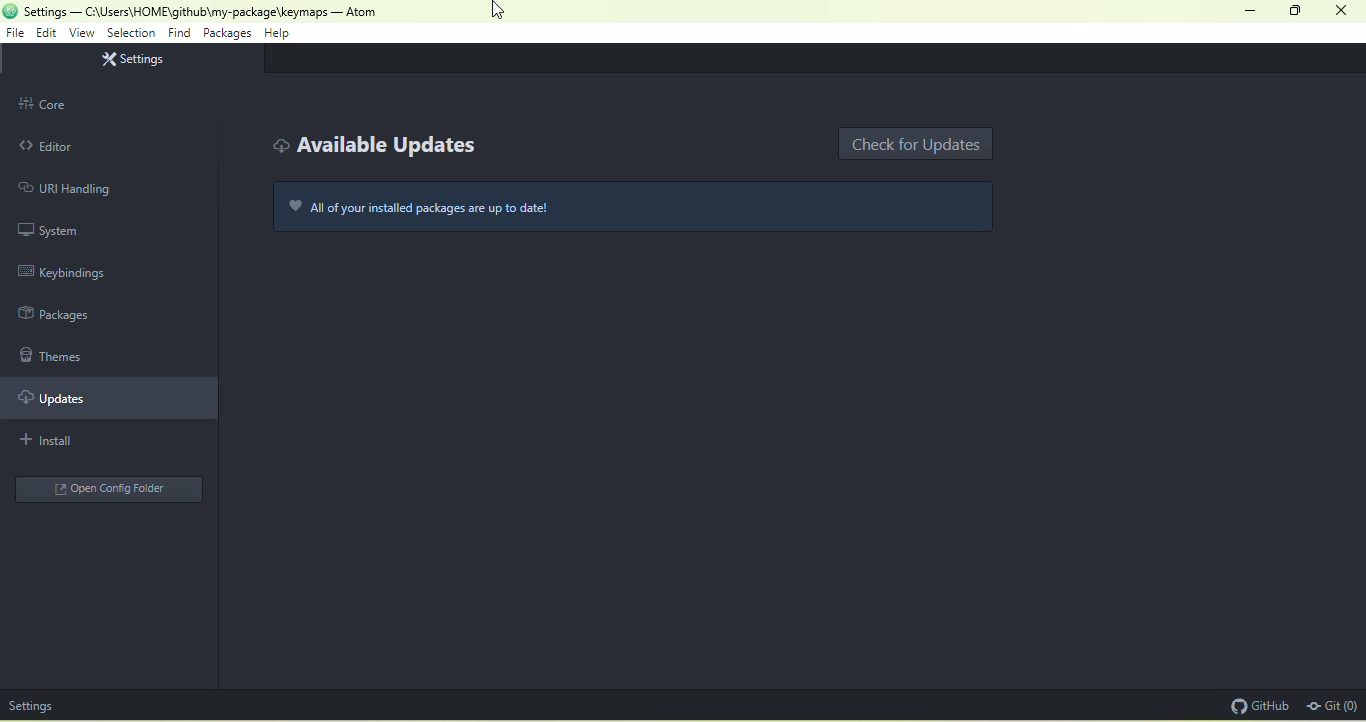  I want to click on core, so click(108, 104).